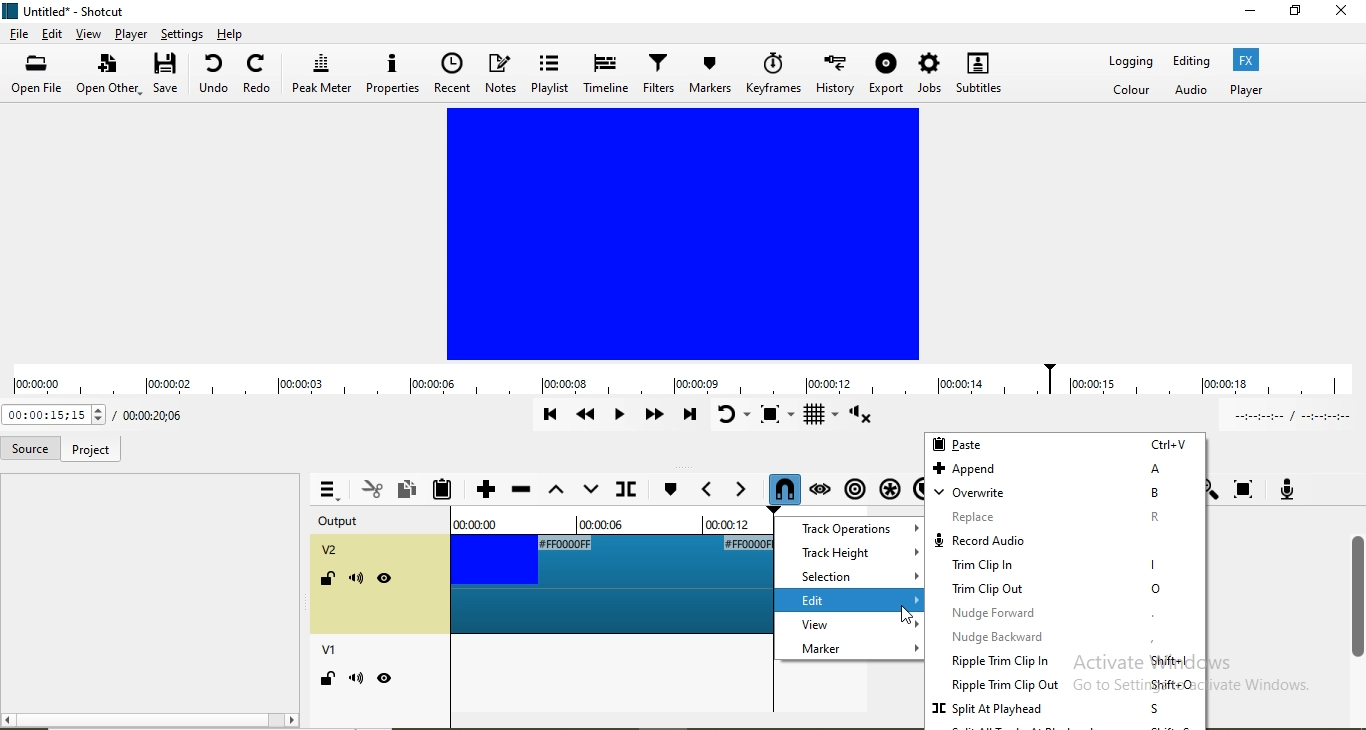 The image size is (1366, 730). What do you see at coordinates (333, 552) in the screenshot?
I see `v2` at bounding box center [333, 552].